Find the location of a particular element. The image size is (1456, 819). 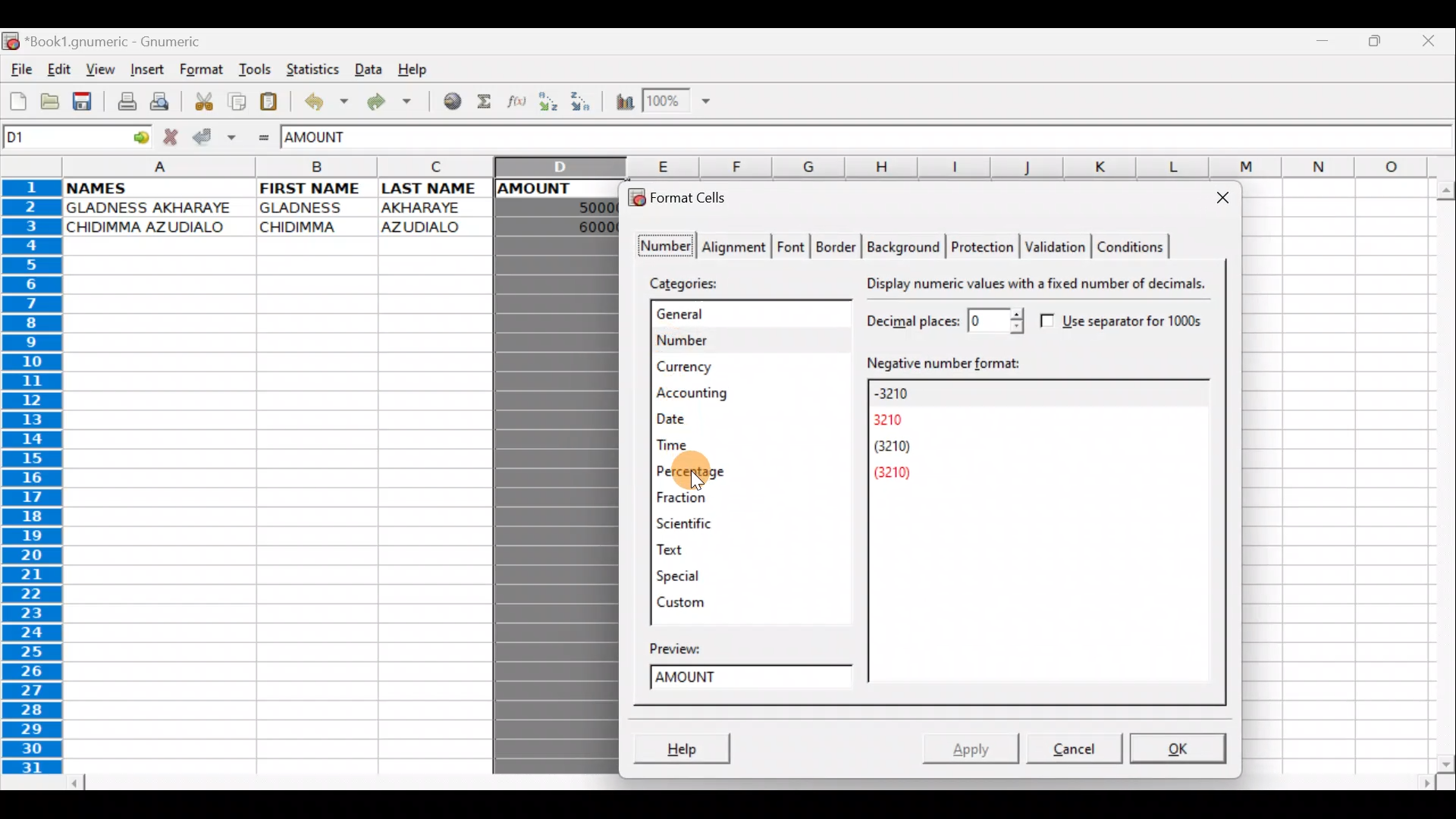

Close is located at coordinates (1429, 39).